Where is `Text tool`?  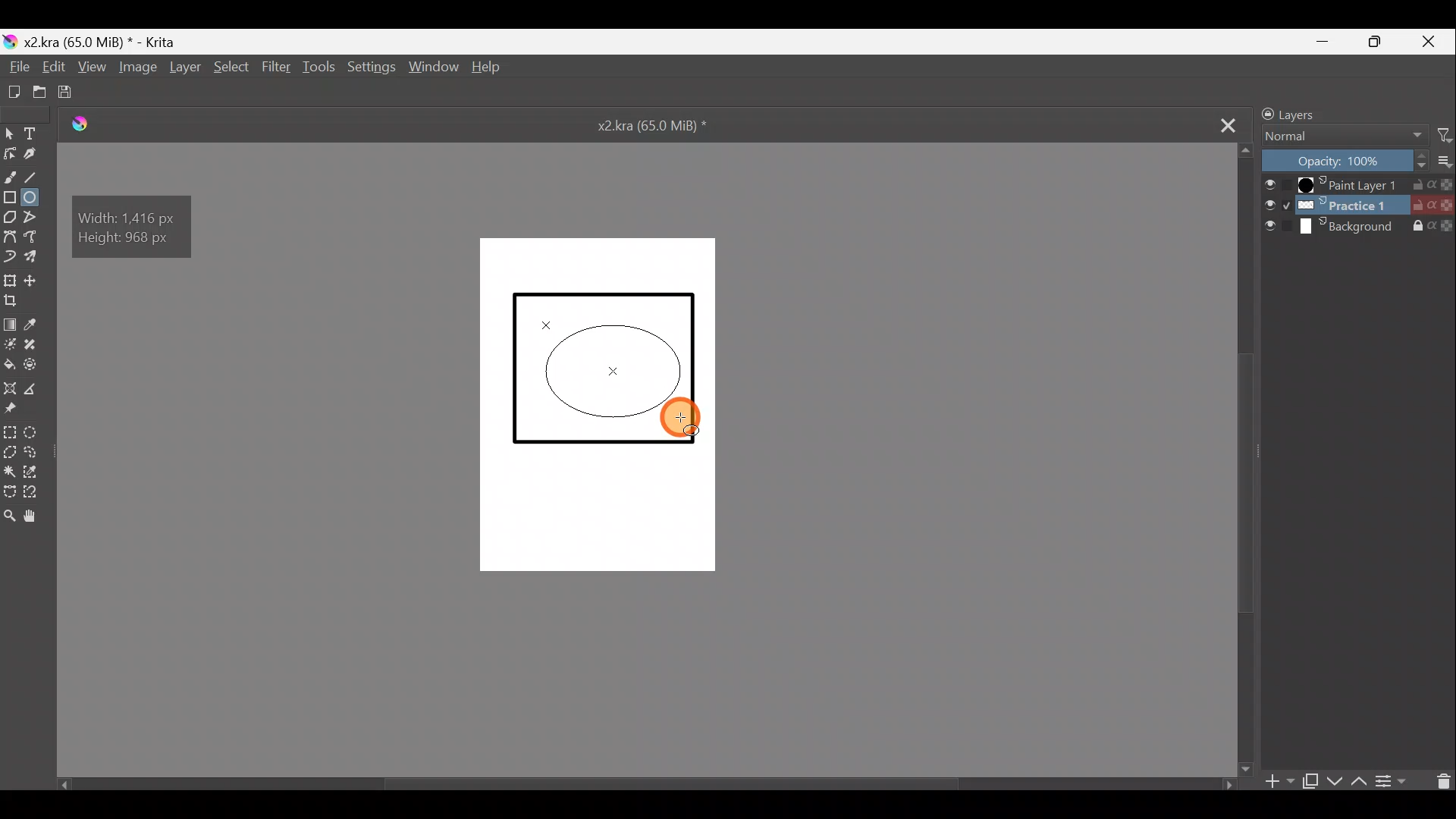
Text tool is located at coordinates (33, 133).